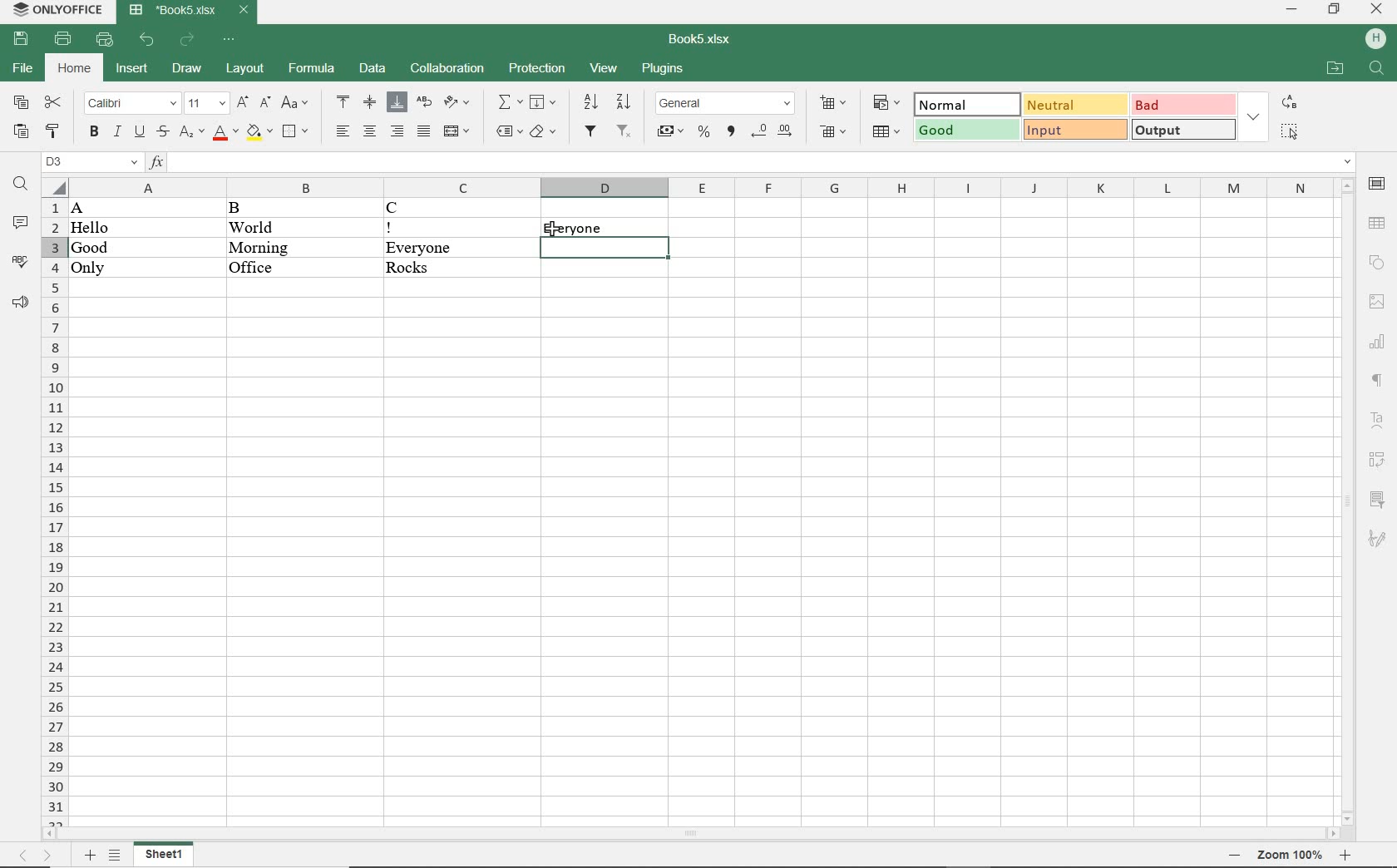 The height and width of the screenshot is (868, 1397). Describe the element at coordinates (1075, 130) in the screenshot. I see `input` at that location.